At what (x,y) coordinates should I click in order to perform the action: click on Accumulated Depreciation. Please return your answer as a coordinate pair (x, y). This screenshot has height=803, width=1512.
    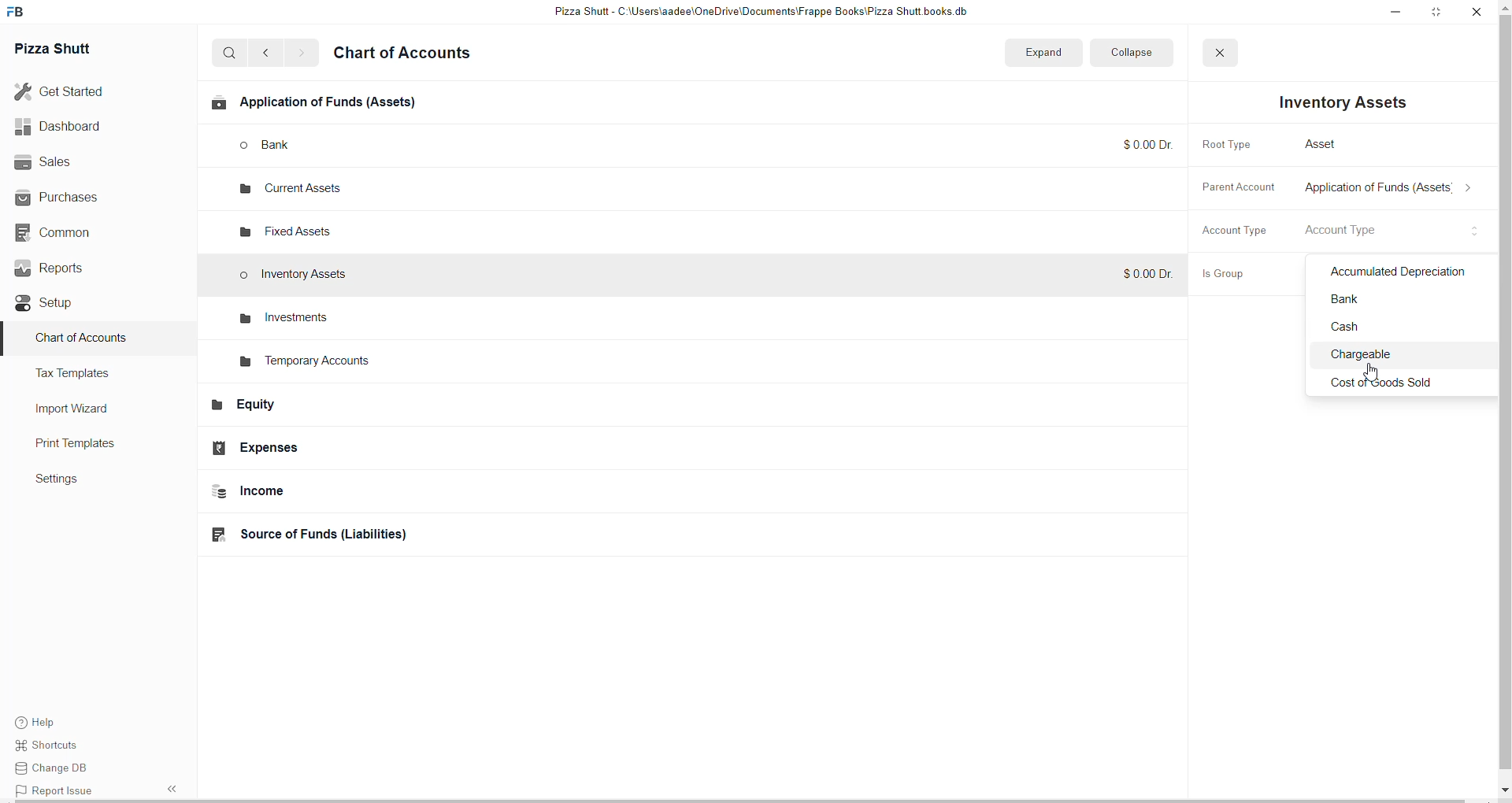
    Looking at the image, I should click on (1400, 272).